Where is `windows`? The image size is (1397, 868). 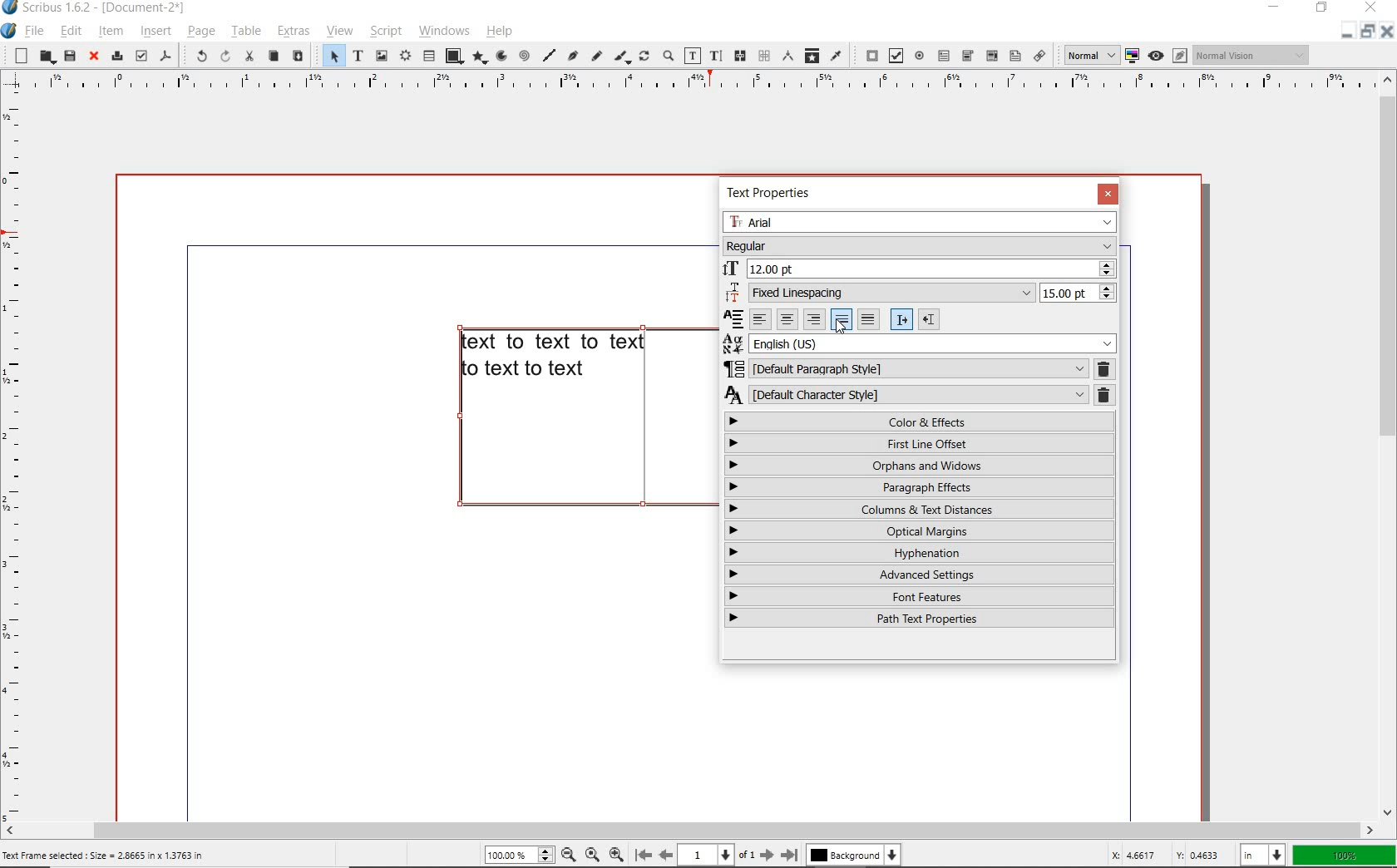 windows is located at coordinates (443, 31).